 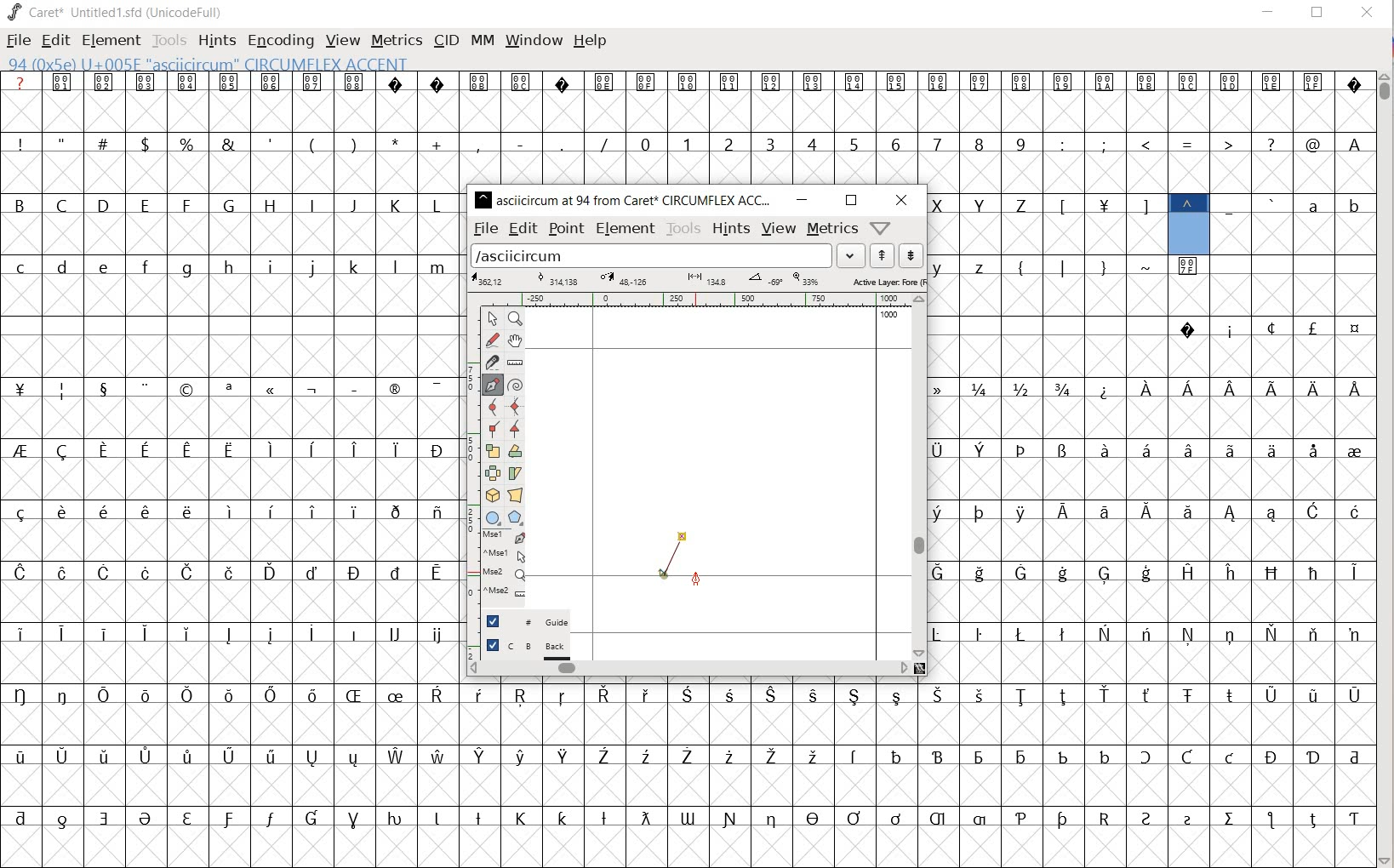 What do you see at coordinates (490, 363) in the screenshot?
I see `cut splines in two` at bounding box center [490, 363].